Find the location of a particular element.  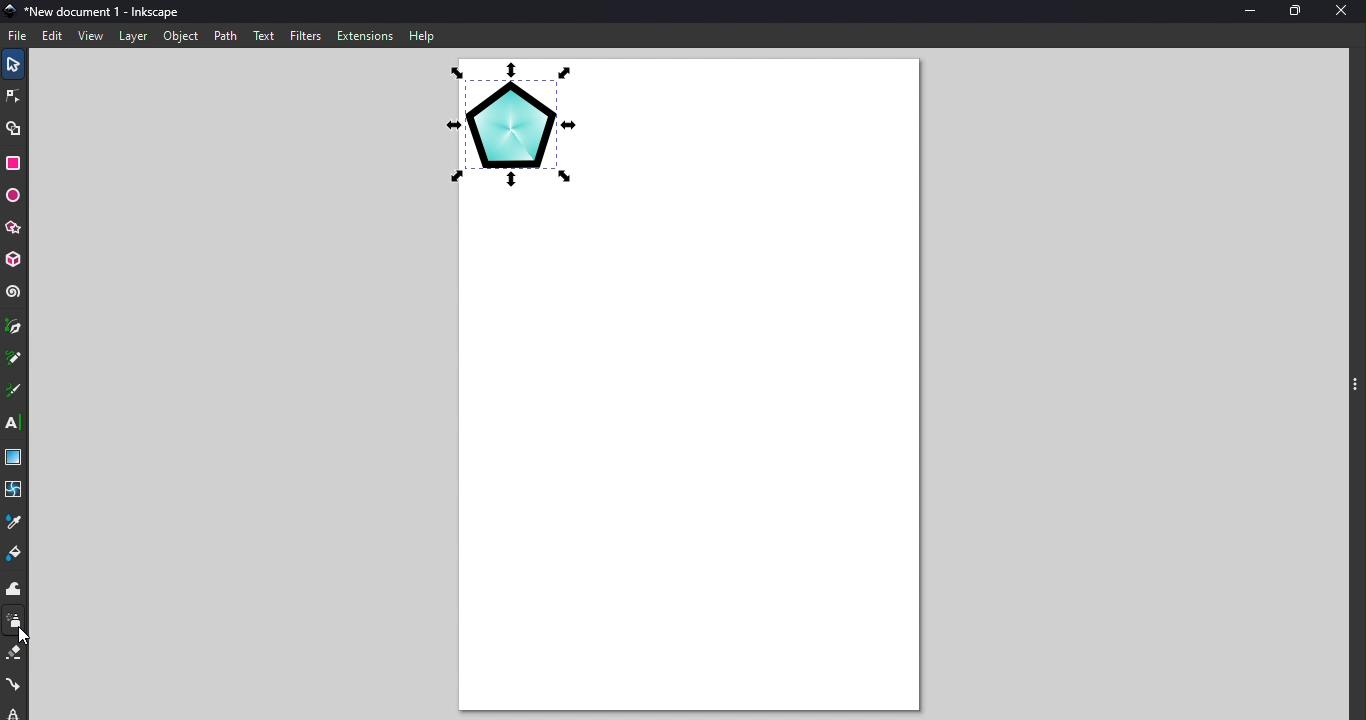

File is located at coordinates (19, 33).